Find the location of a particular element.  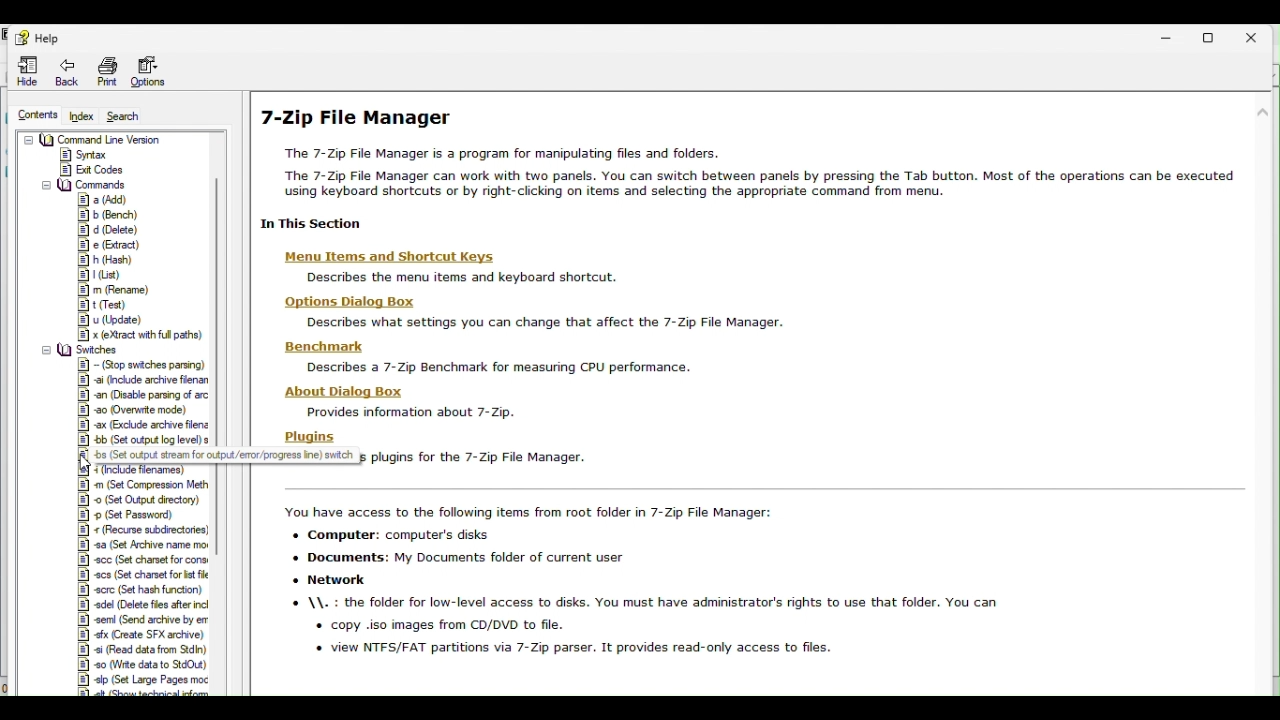

You have access to the following items from root folder in 7-Zip File Manager:
+ Computer: computer's disks
+ Documents: My Documents folder of current user
«+ Network
© \\. : the folder for low-level access to disks. You must have administrator's rights to use that folder. You can
« copy .iso images from CD/DVD to file.
« view NTFS/FAT partitions via 7-Zip parser. It provides read-only access to files. is located at coordinates (642, 580).